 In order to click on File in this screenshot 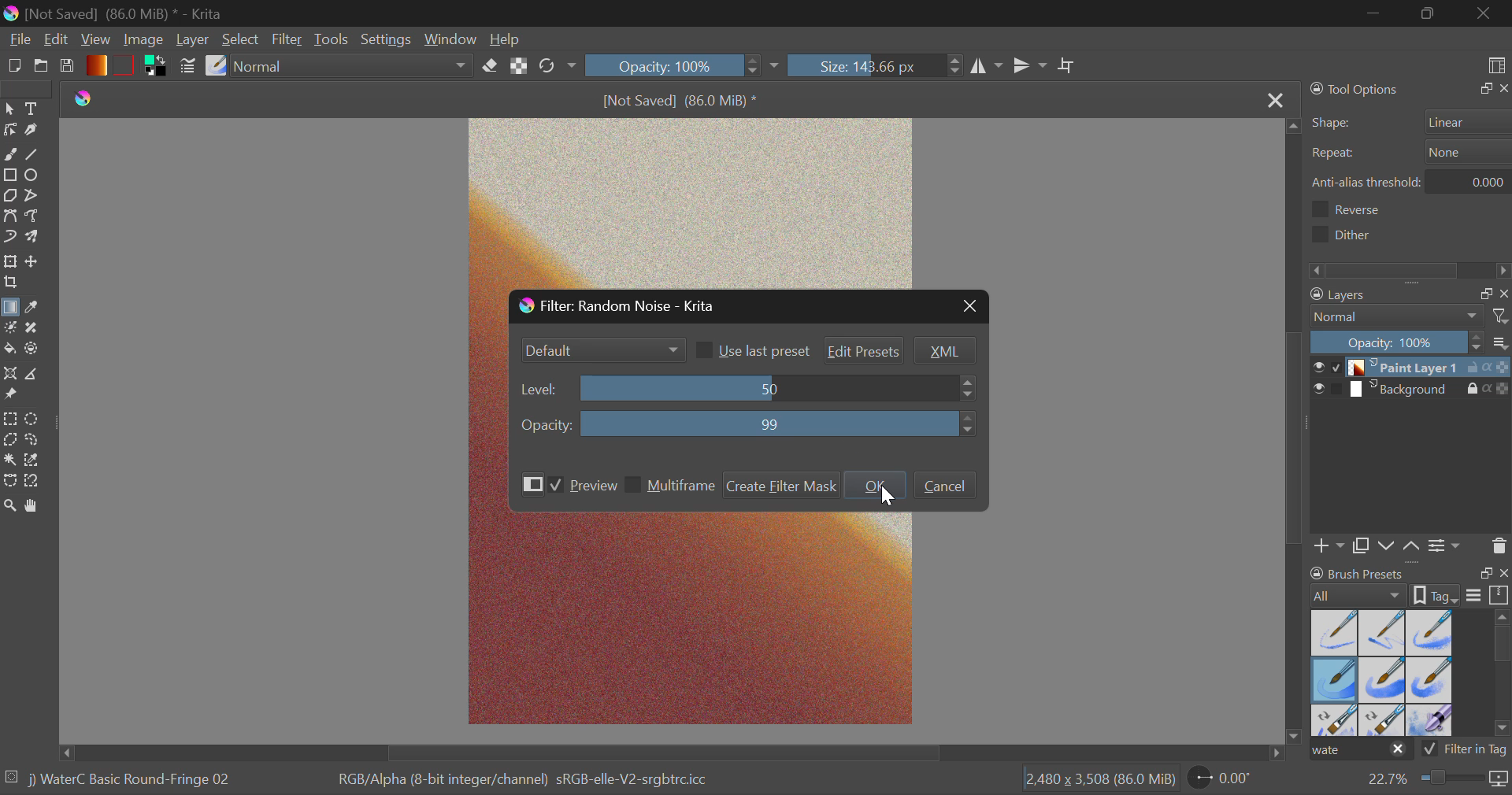, I will do `click(18, 38)`.